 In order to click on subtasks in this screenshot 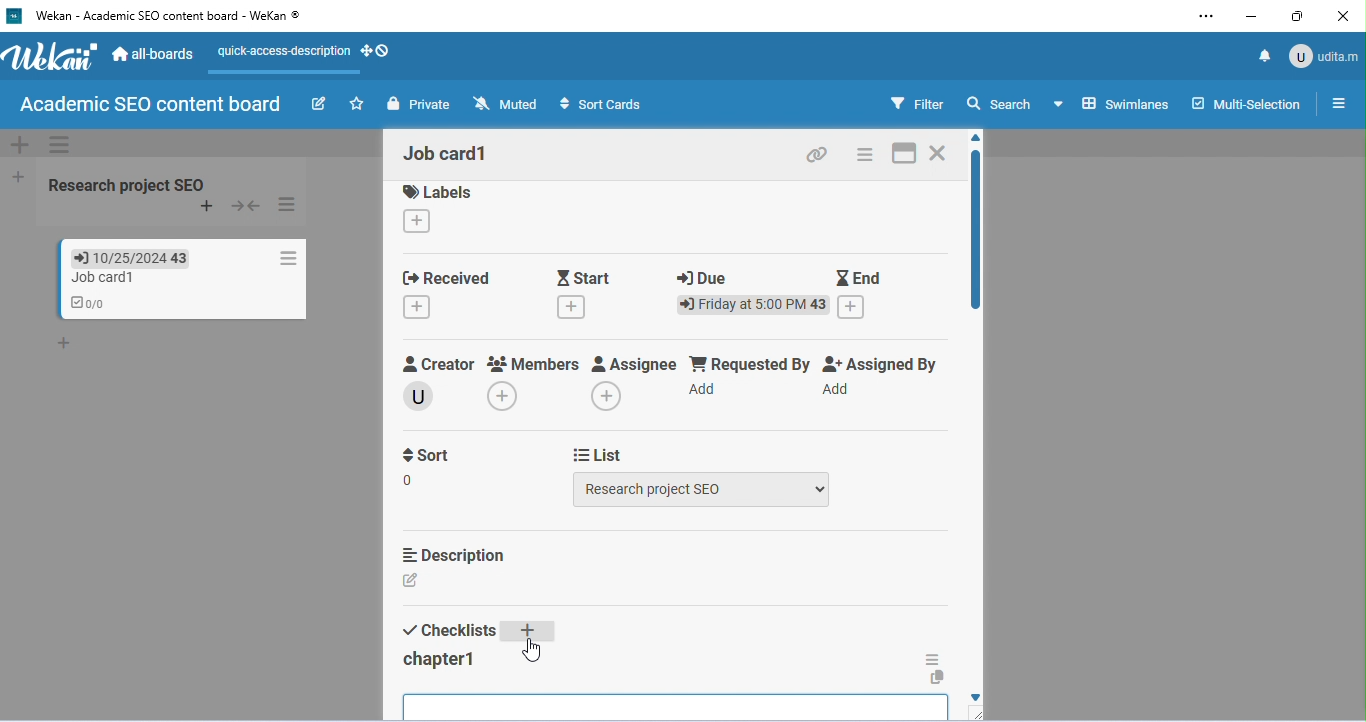, I will do `click(447, 714)`.